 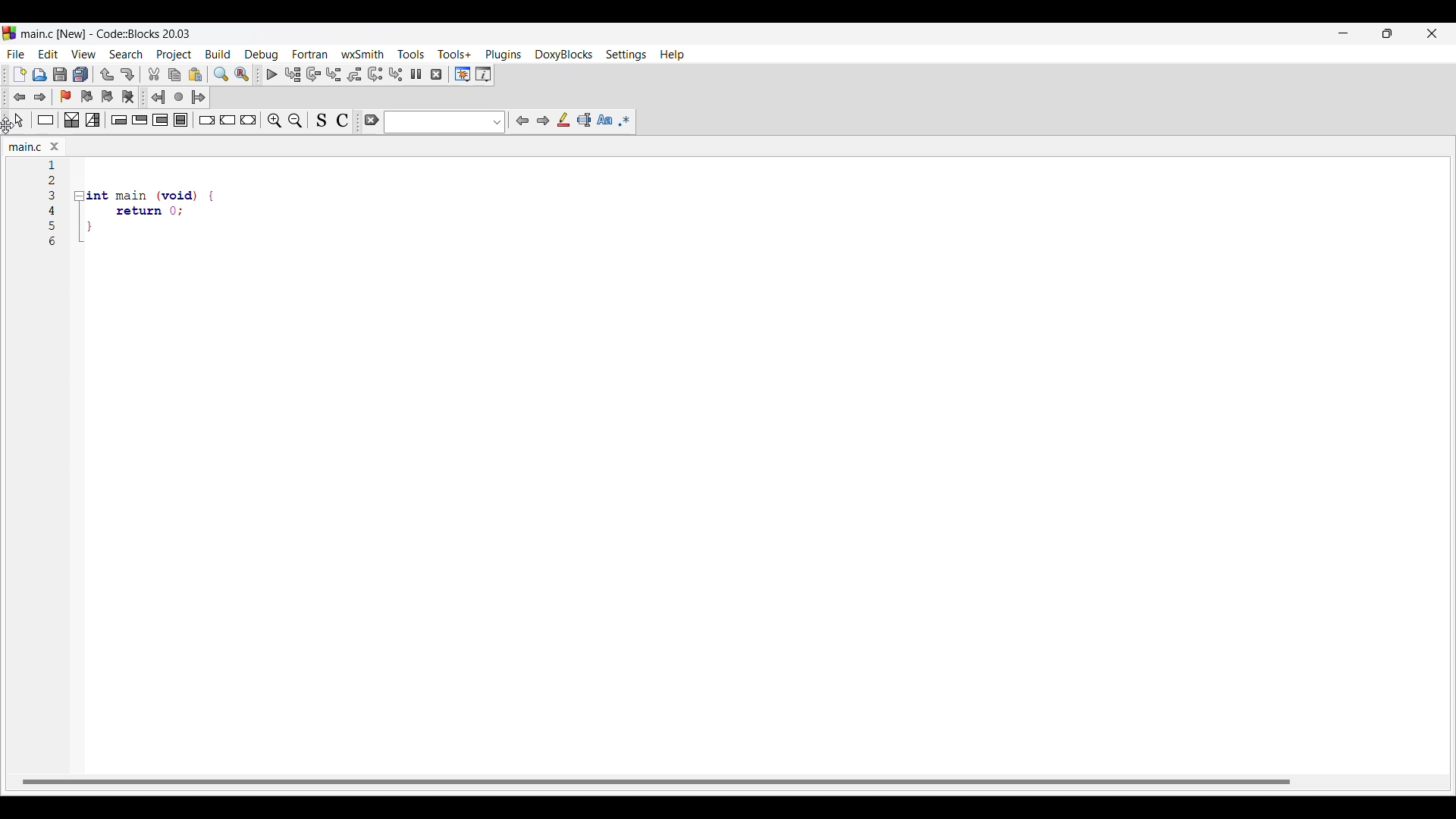 What do you see at coordinates (20, 97) in the screenshot?
I see `Toggle back` at bounding box center [20, 97].